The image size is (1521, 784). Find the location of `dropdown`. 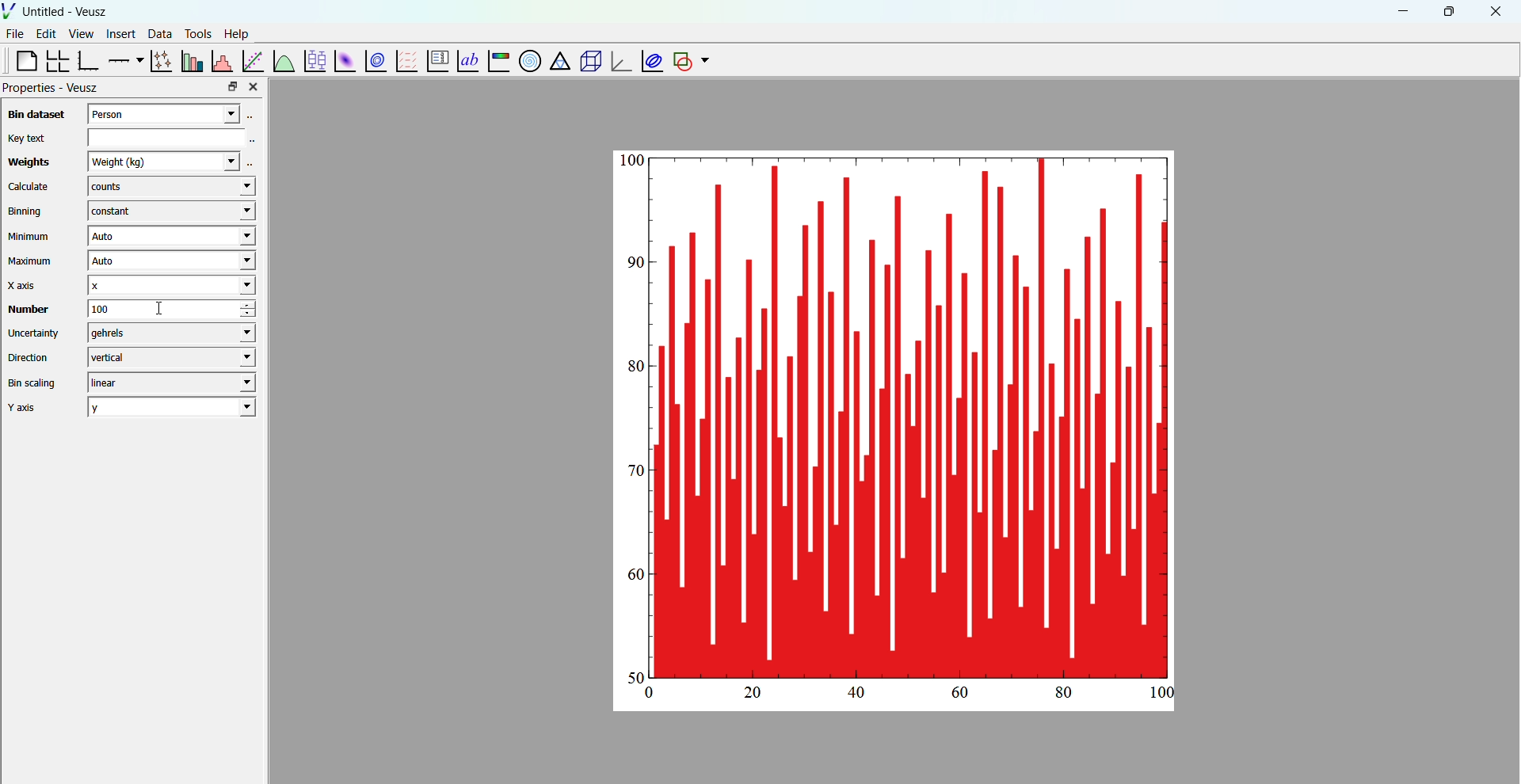

dropdown is located at coordinates (705, 61).